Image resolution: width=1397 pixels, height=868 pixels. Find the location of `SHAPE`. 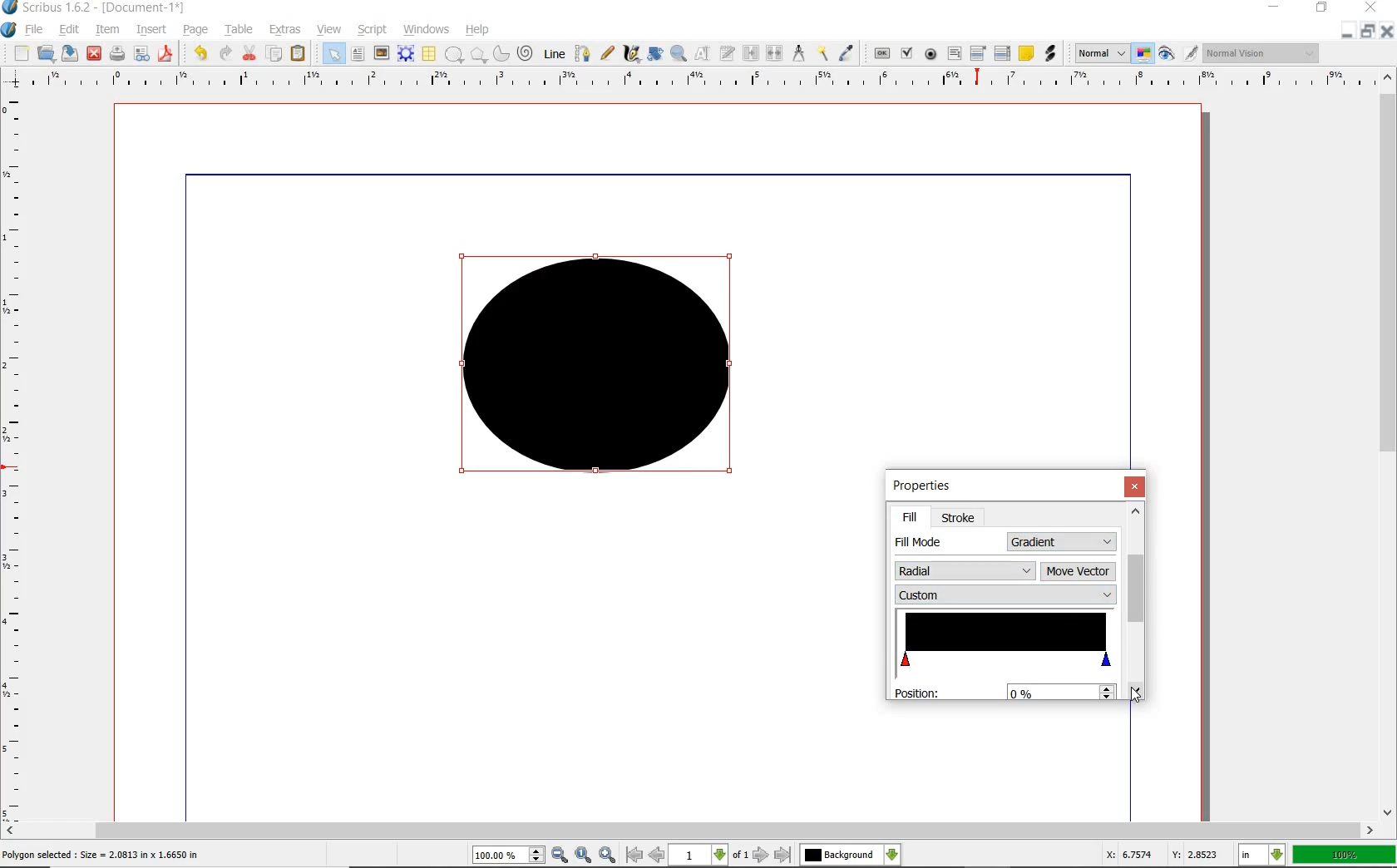

SHAPE is located at coordinates (453, 55).